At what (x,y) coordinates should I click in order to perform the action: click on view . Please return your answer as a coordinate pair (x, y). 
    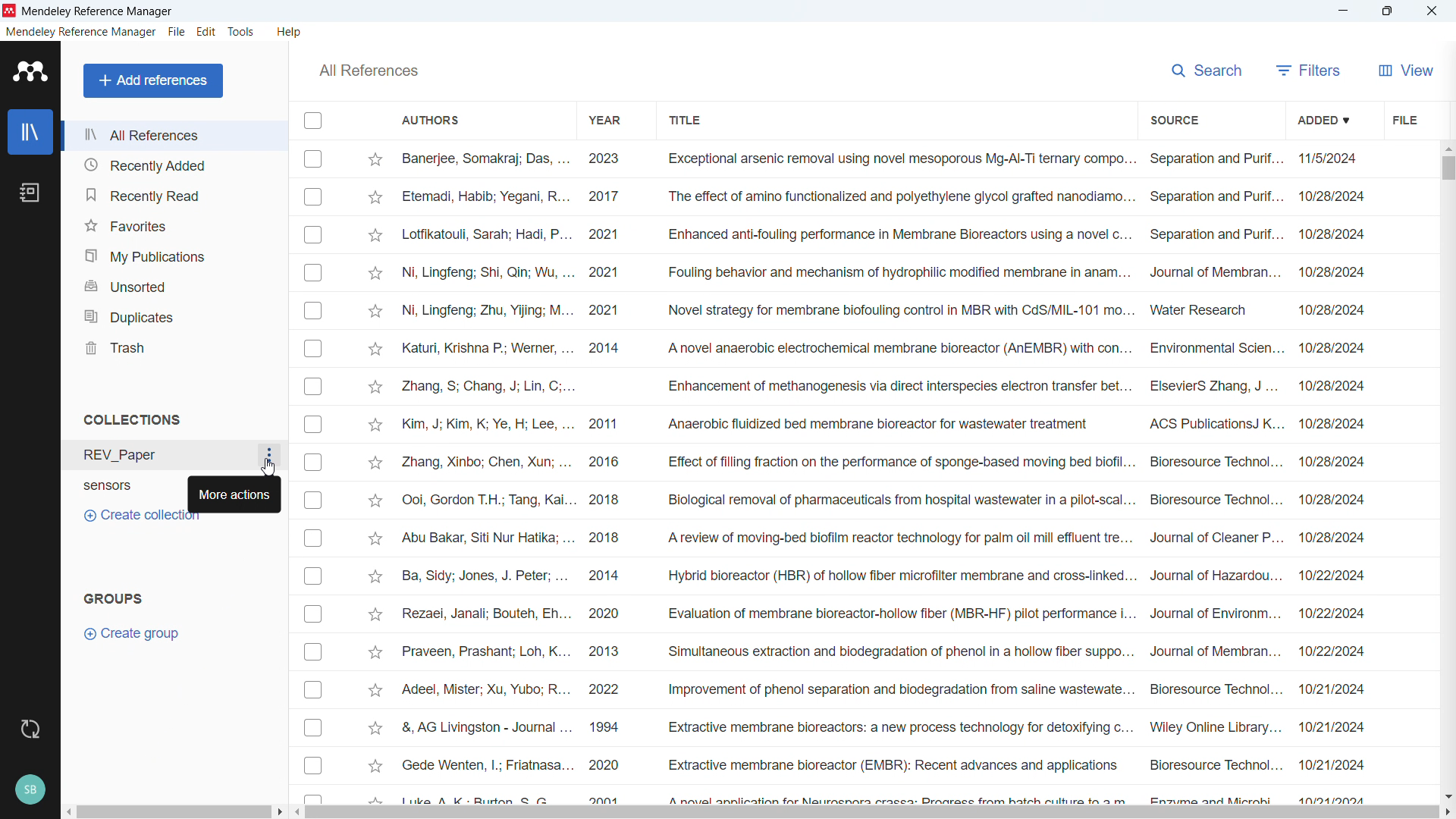
    Looking at the image, I should click on (1404, 68).